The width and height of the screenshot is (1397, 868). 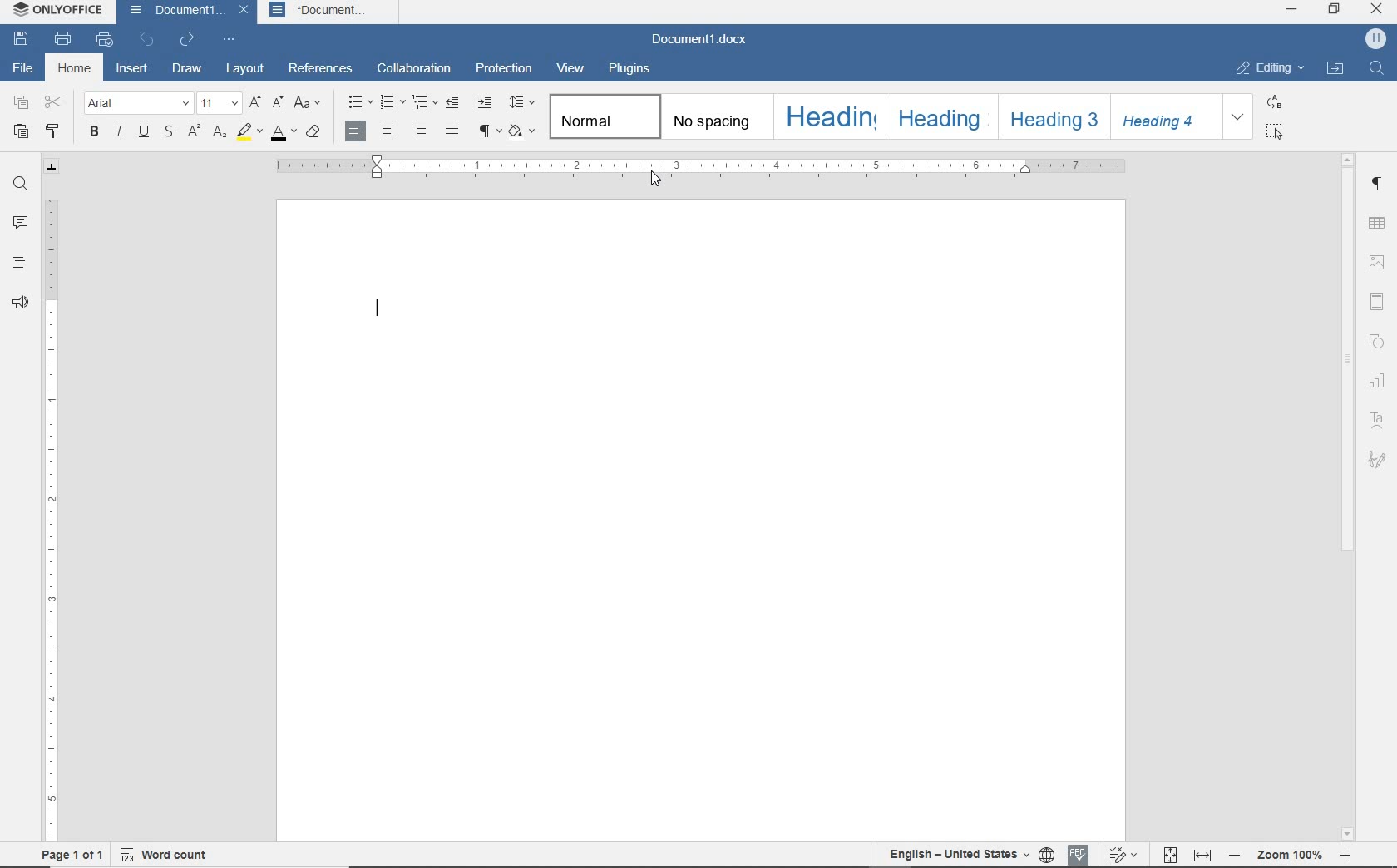 What do you see at coordinates (161, 855) in the screenshot?
I see `WORD COUNT` at bounding box center [161, 855].